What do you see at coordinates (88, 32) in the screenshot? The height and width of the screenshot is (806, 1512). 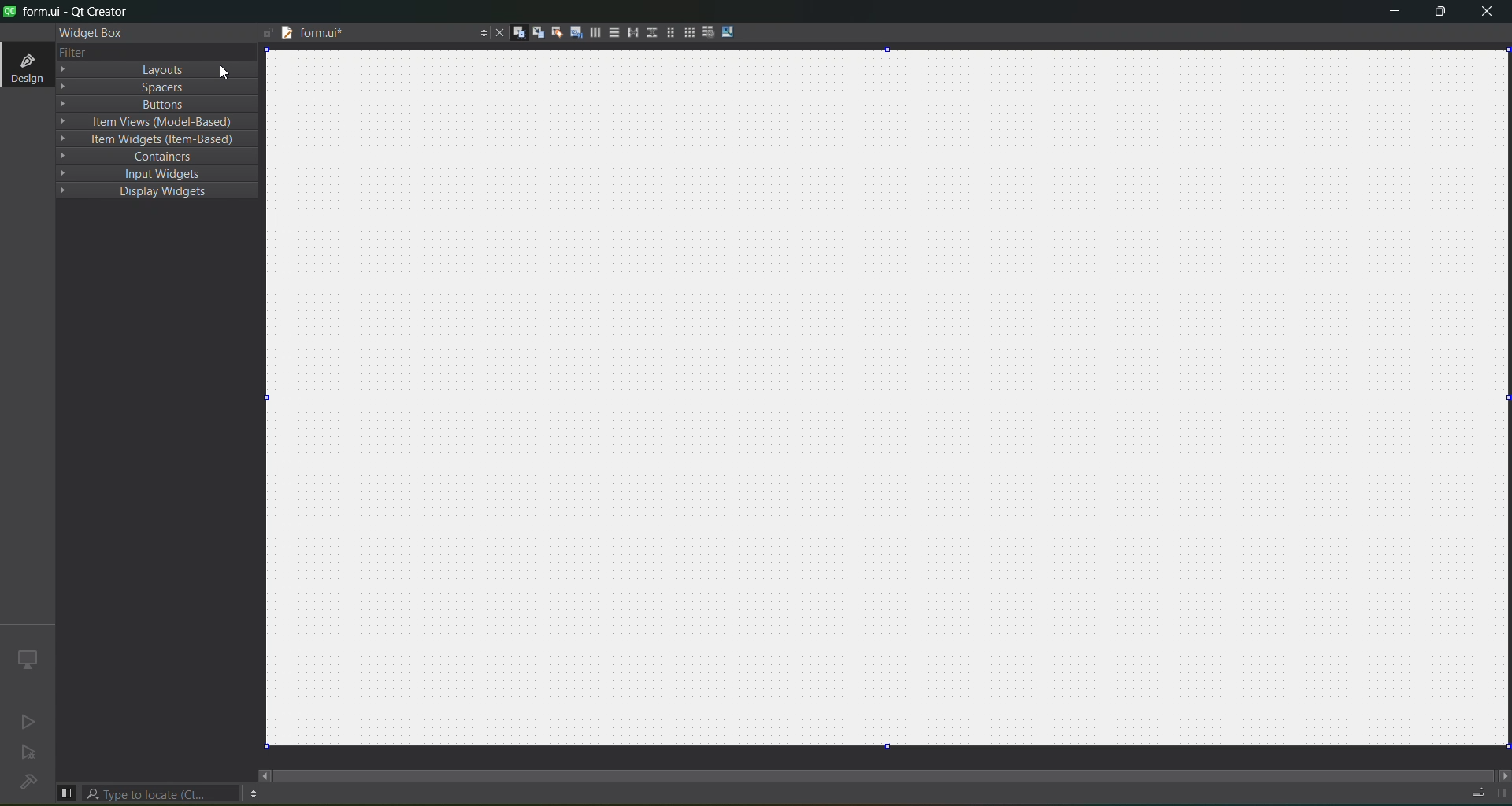 I see `widget box` at bounding box center [88, 32].